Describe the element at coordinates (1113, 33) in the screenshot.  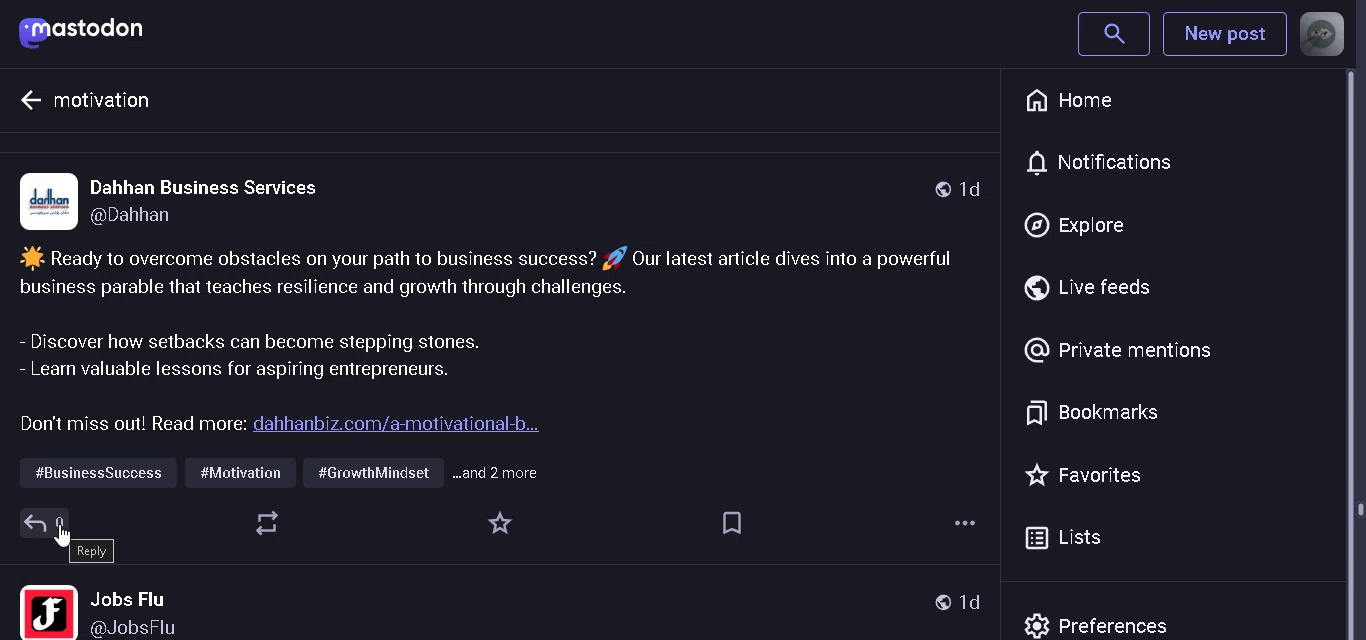
I see `search` at that location.